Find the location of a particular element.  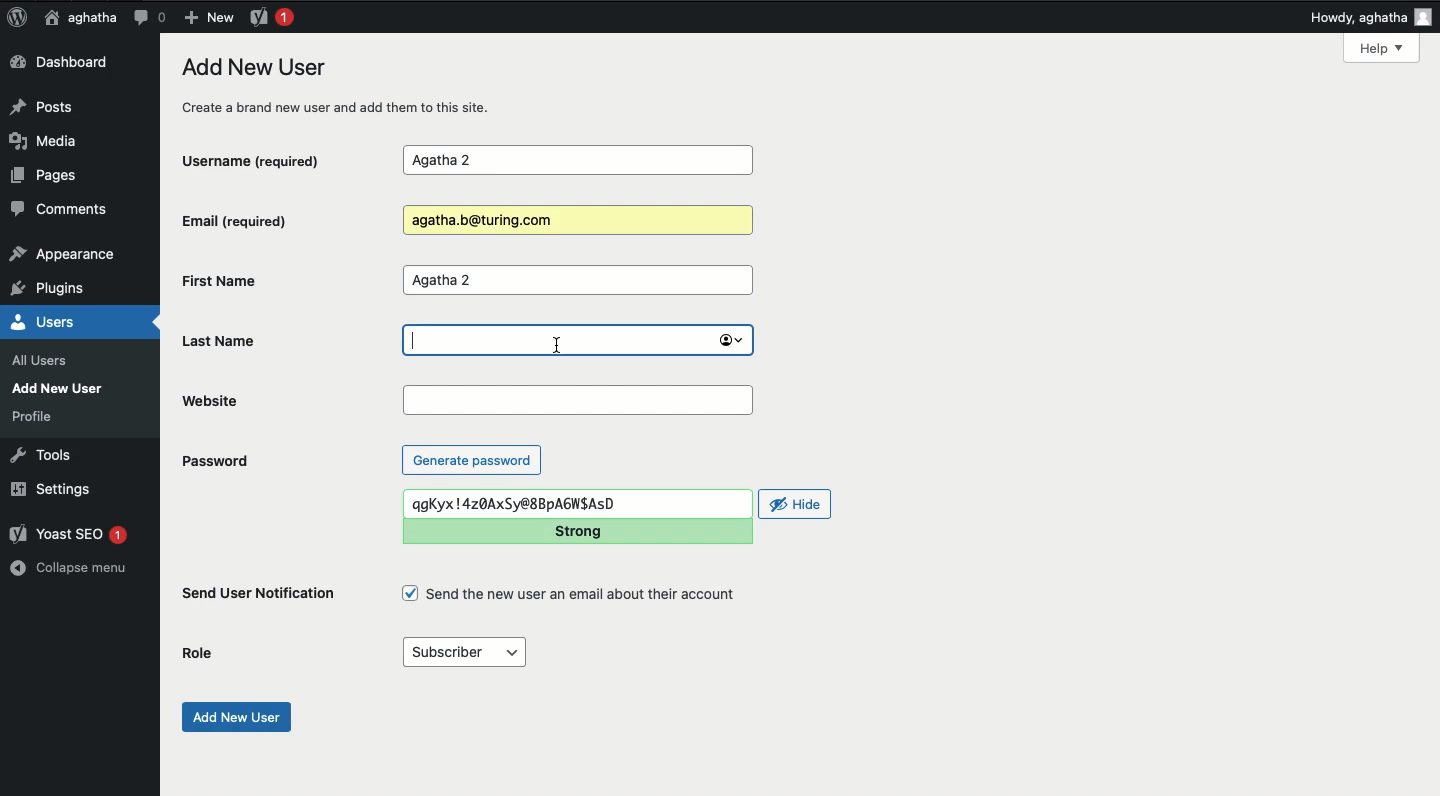

plugins is located at coordinates (58, 289).